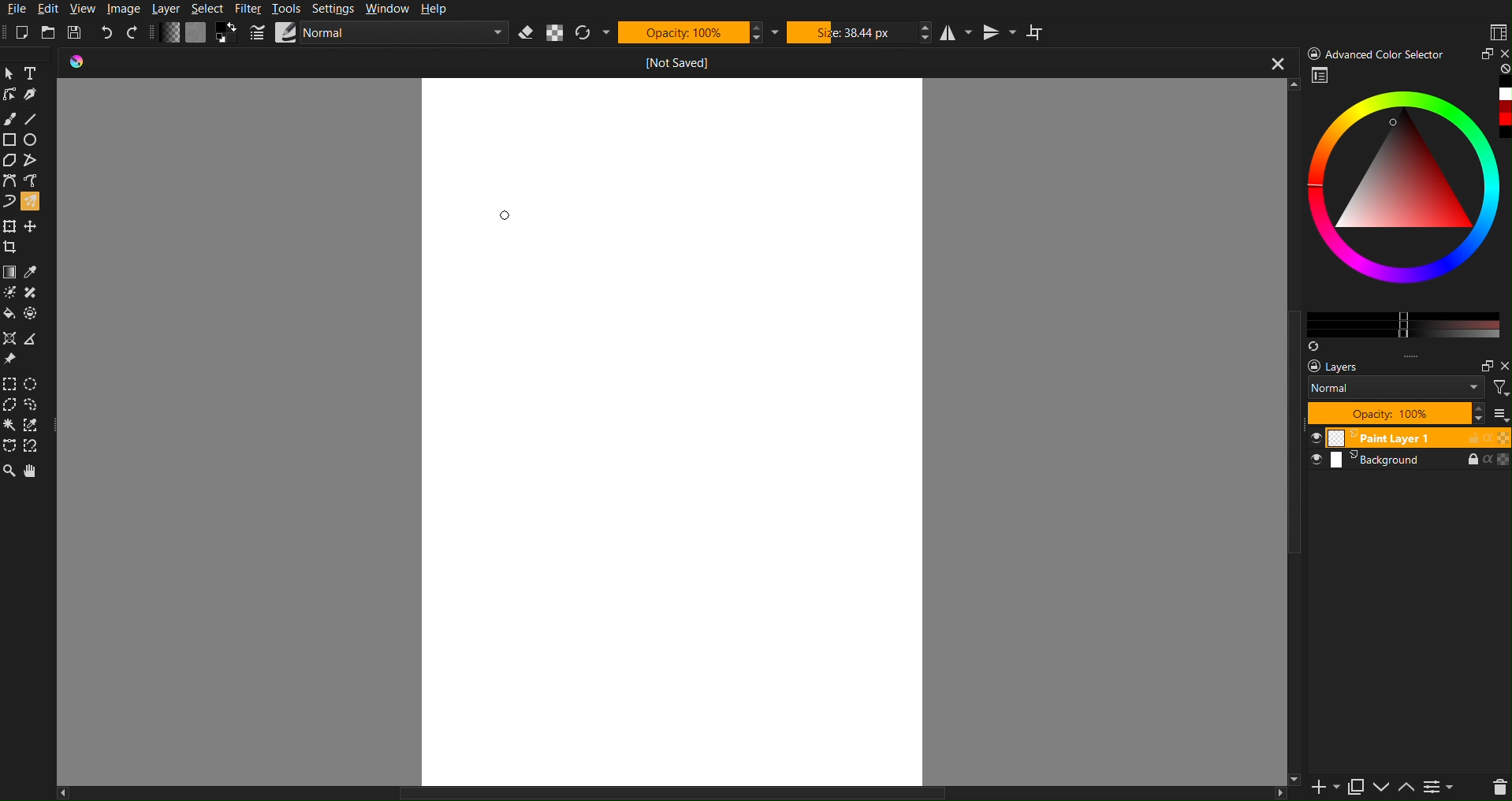  I want to click on Erase, so click(527, 33).